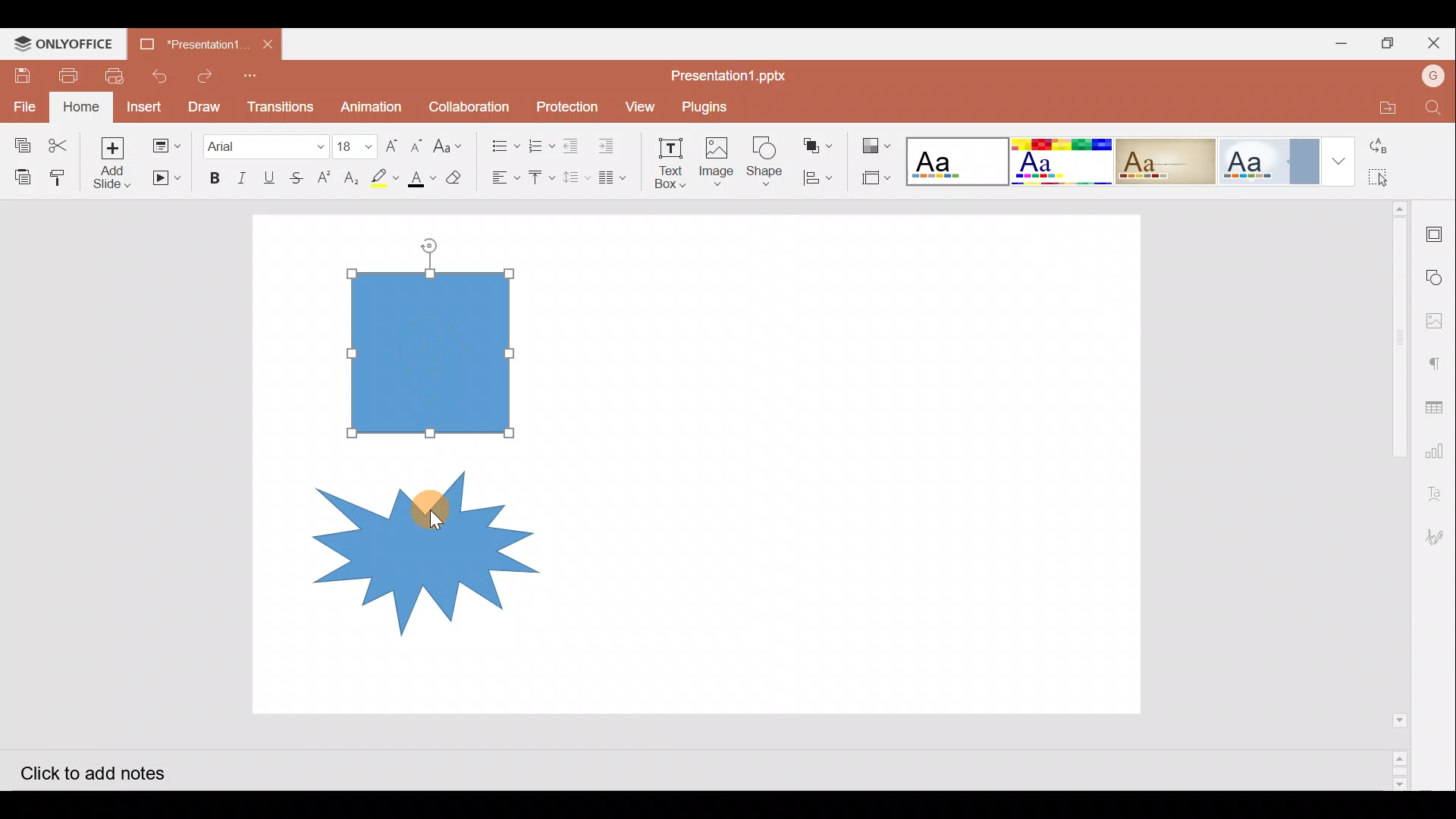 Image resolution: width=1456 pixels, height=819 pixels. I want to click on Home, so click(81, 107).